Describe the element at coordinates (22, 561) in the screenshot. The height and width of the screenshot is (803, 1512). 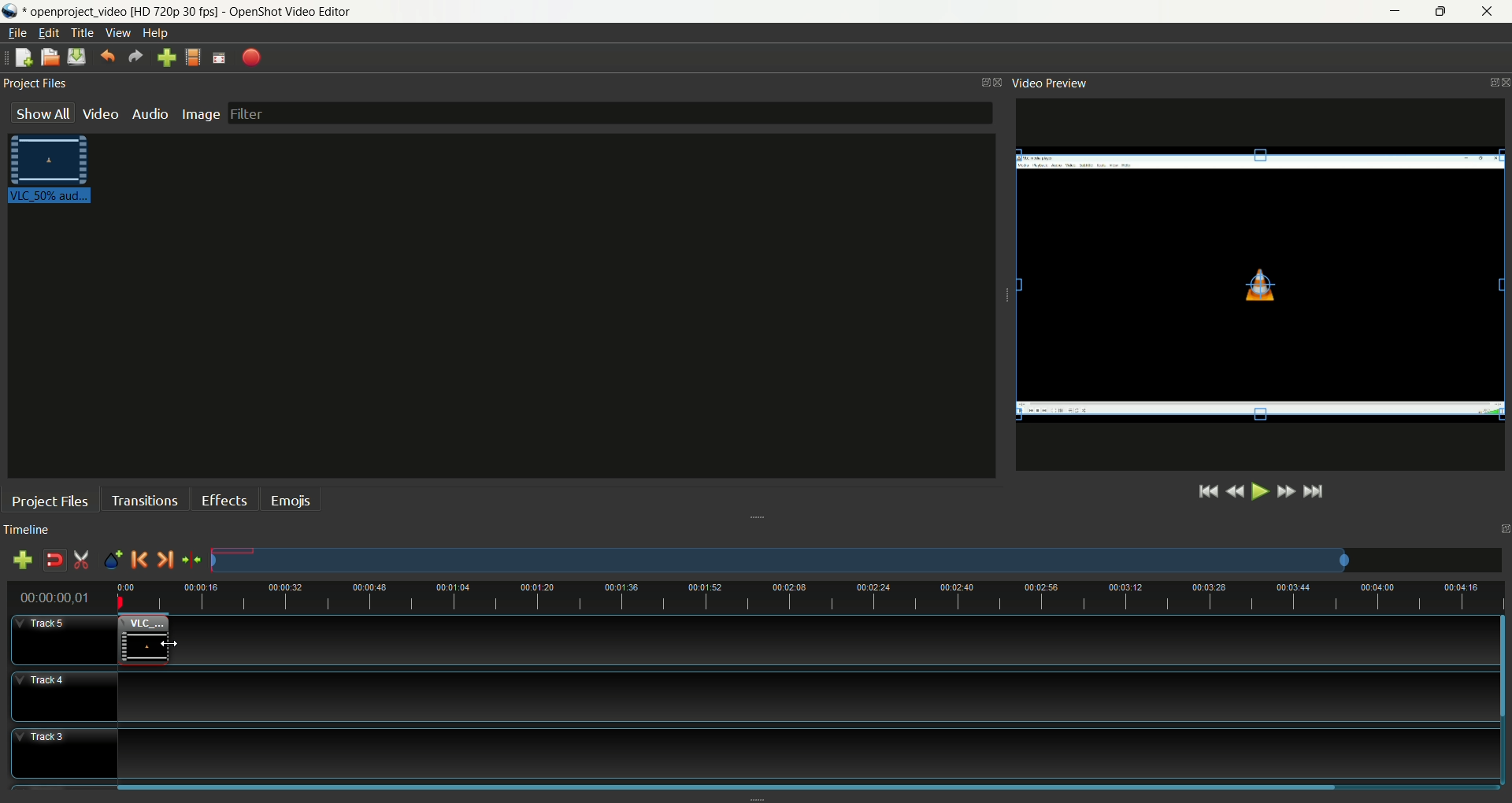
I see `add track` at that location.